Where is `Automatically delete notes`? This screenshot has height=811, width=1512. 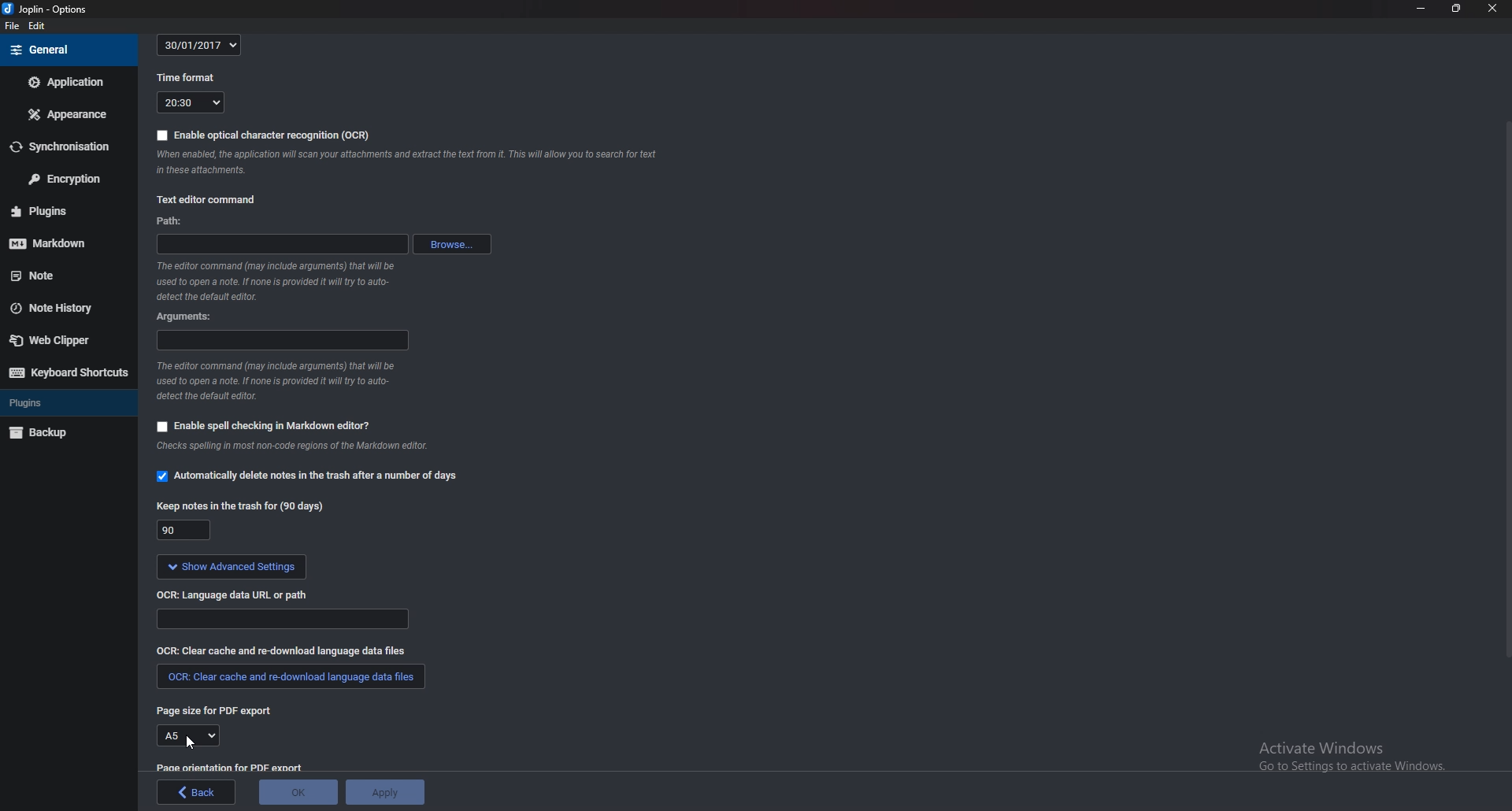
Automatically delete notes is located at coordinates (313, 478).